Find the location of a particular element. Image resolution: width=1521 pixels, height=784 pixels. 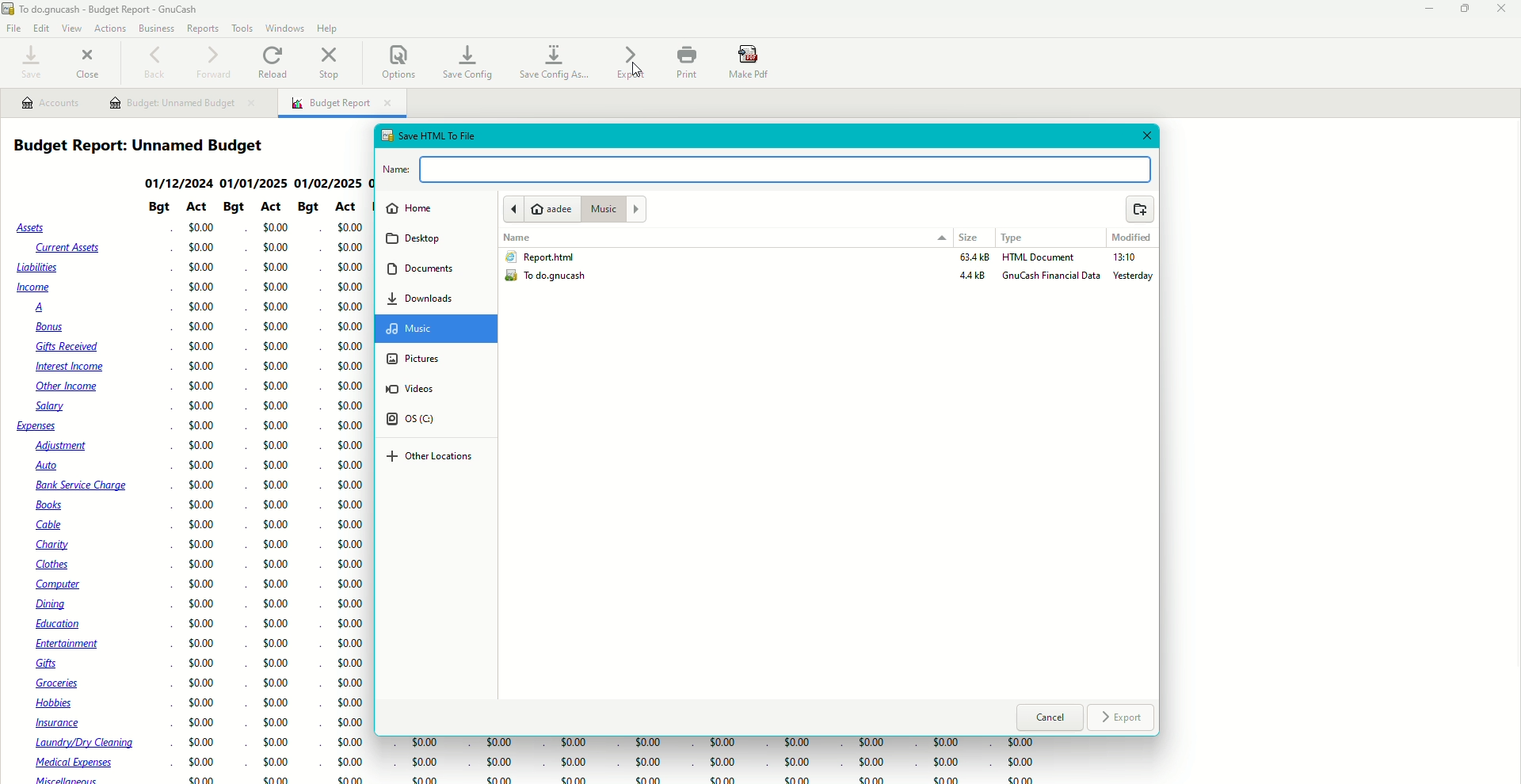

Actions is located at coordinates (109, 27).